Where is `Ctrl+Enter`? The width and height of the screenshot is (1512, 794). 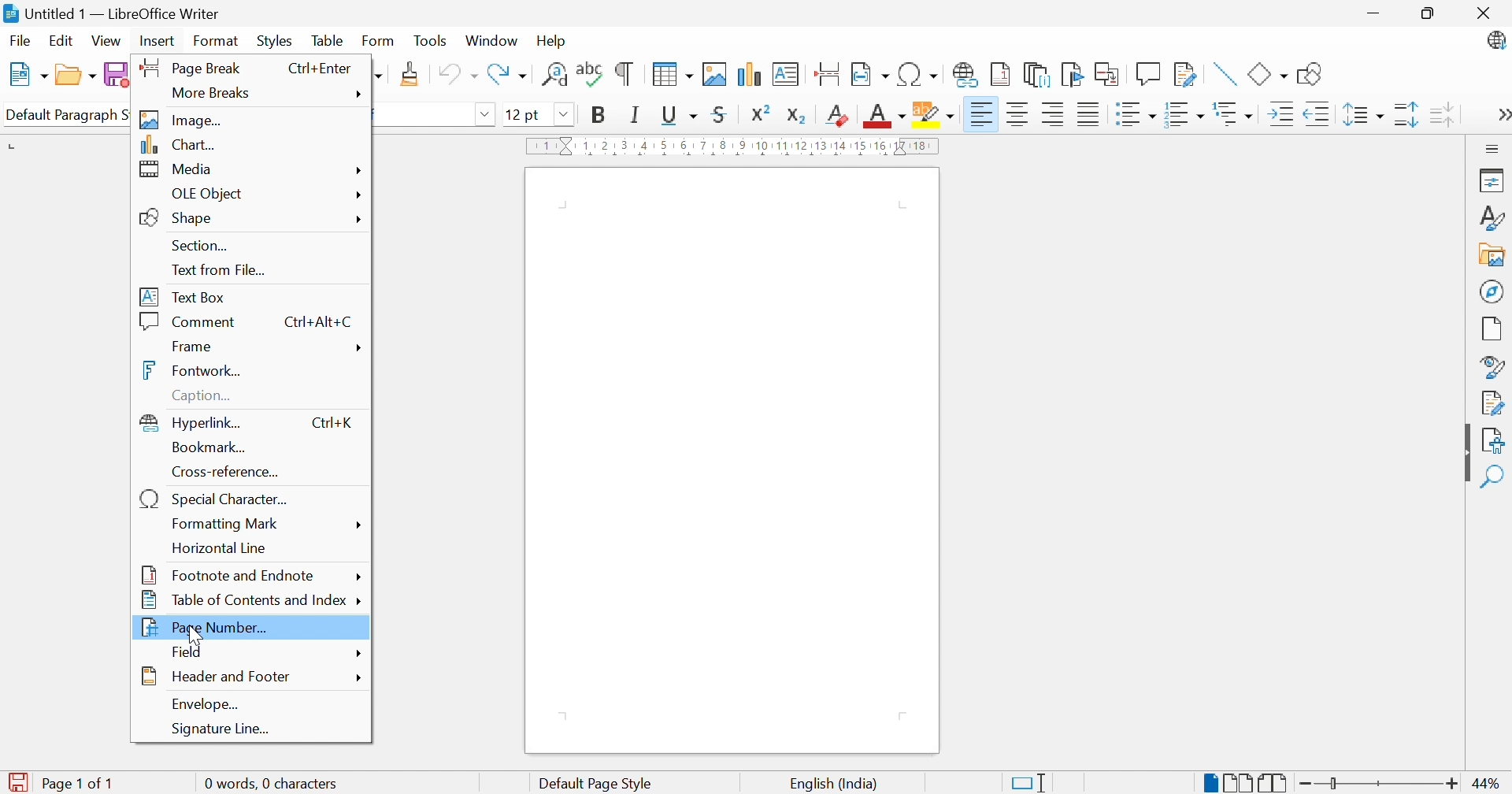 Ctrl+Enter is located at coordinates (317, 69).